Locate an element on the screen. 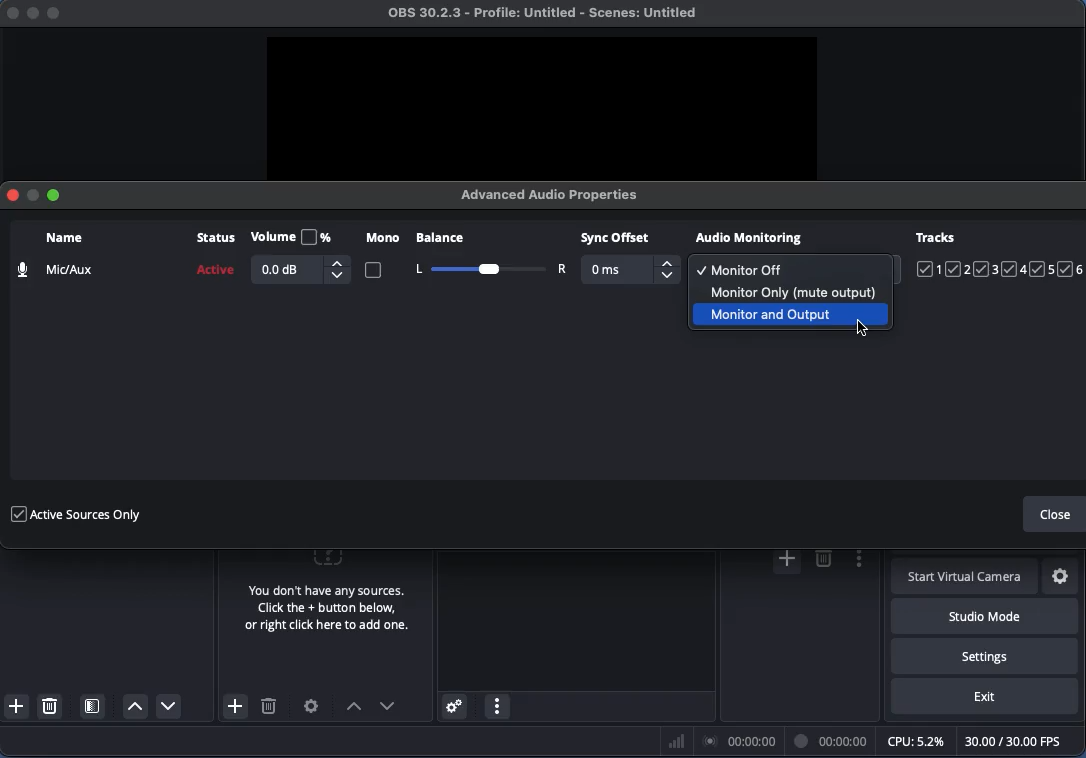  Close is located at coordinates (10, 193).